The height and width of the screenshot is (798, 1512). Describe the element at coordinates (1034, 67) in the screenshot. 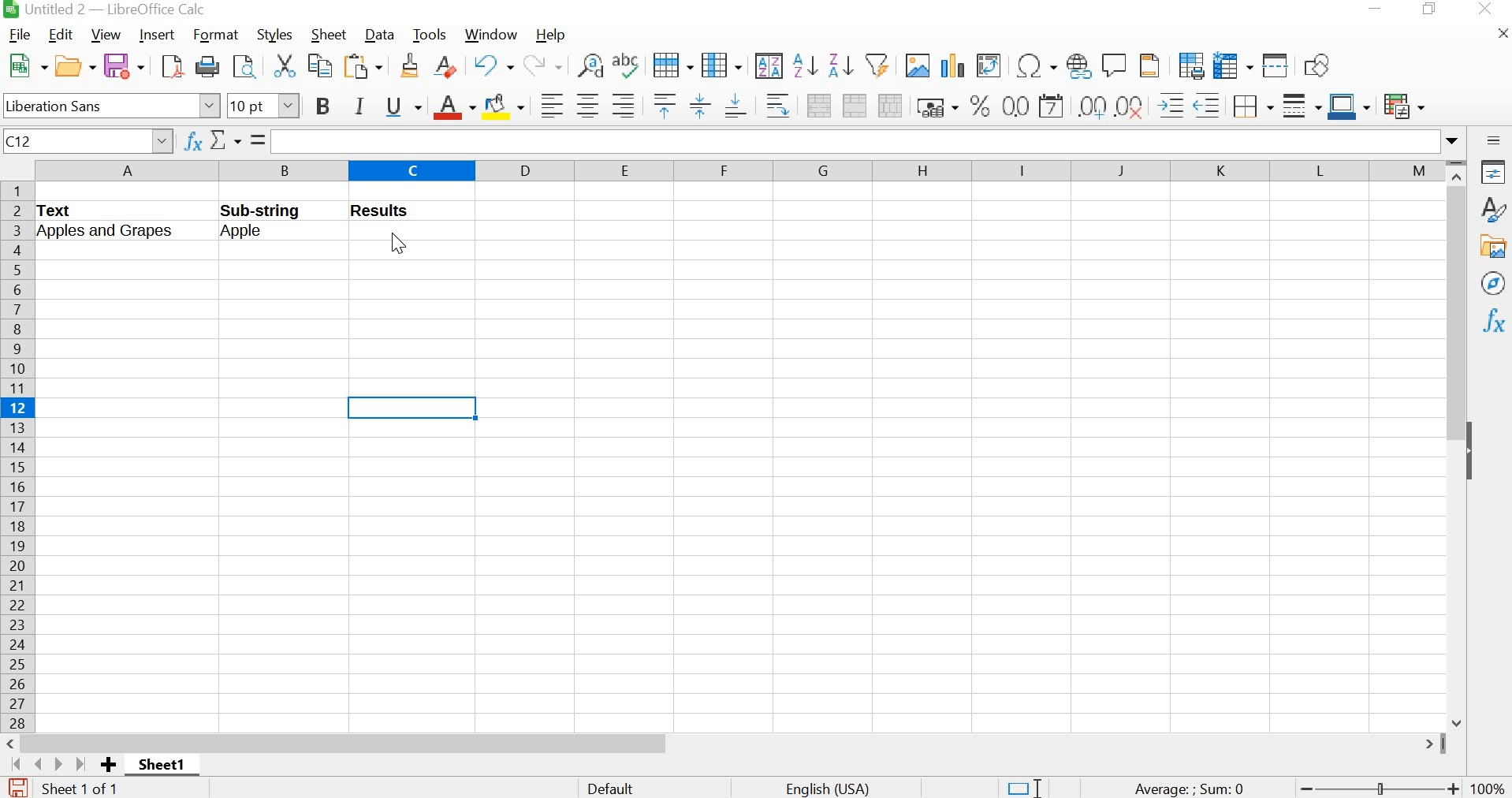

I see `insert special characters` at that location.